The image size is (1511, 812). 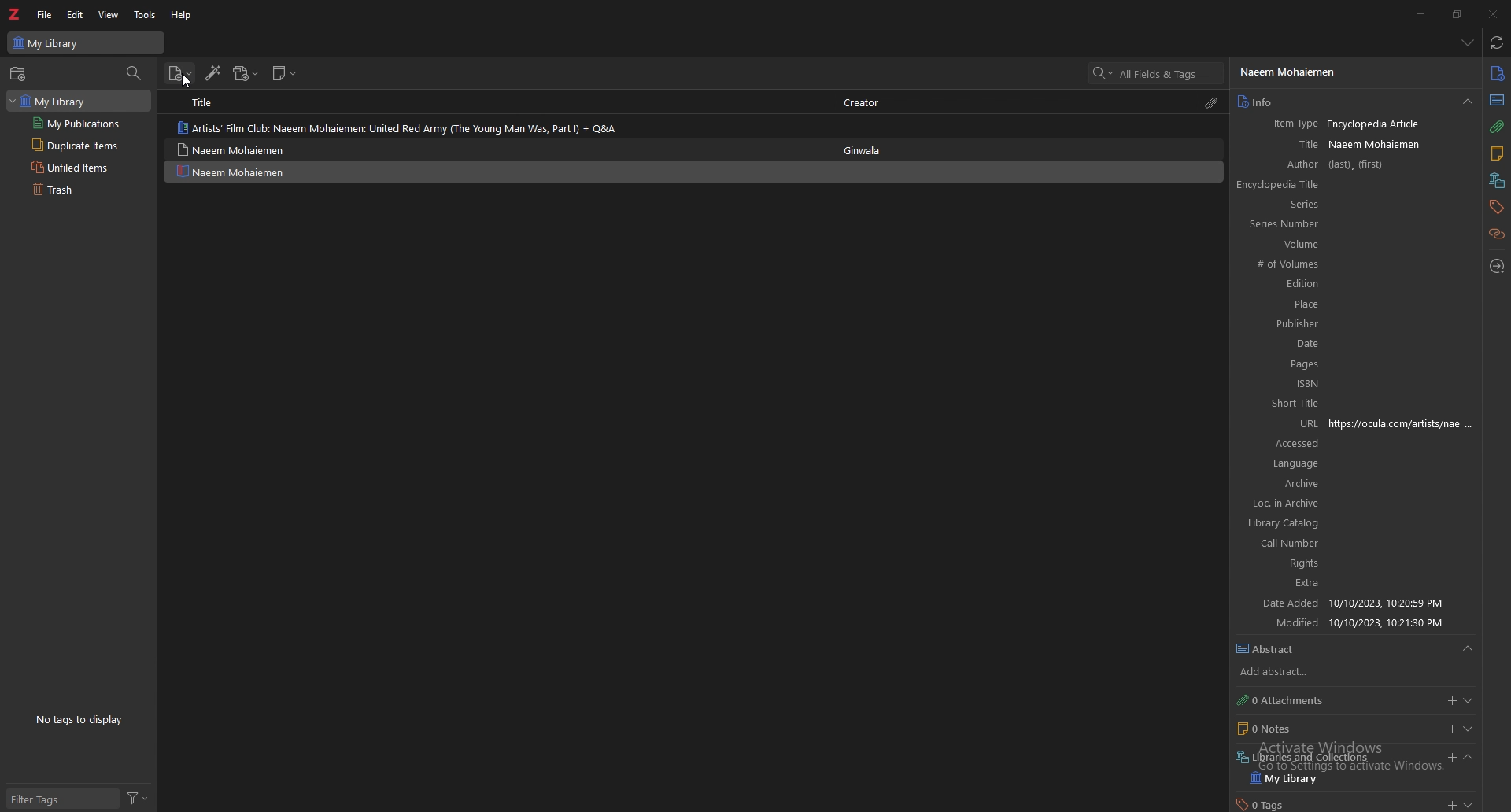 What do you see at coordinates (1277, 264) in the screenshot?
I see `# of volumes` at bounding box center [1277, 264].